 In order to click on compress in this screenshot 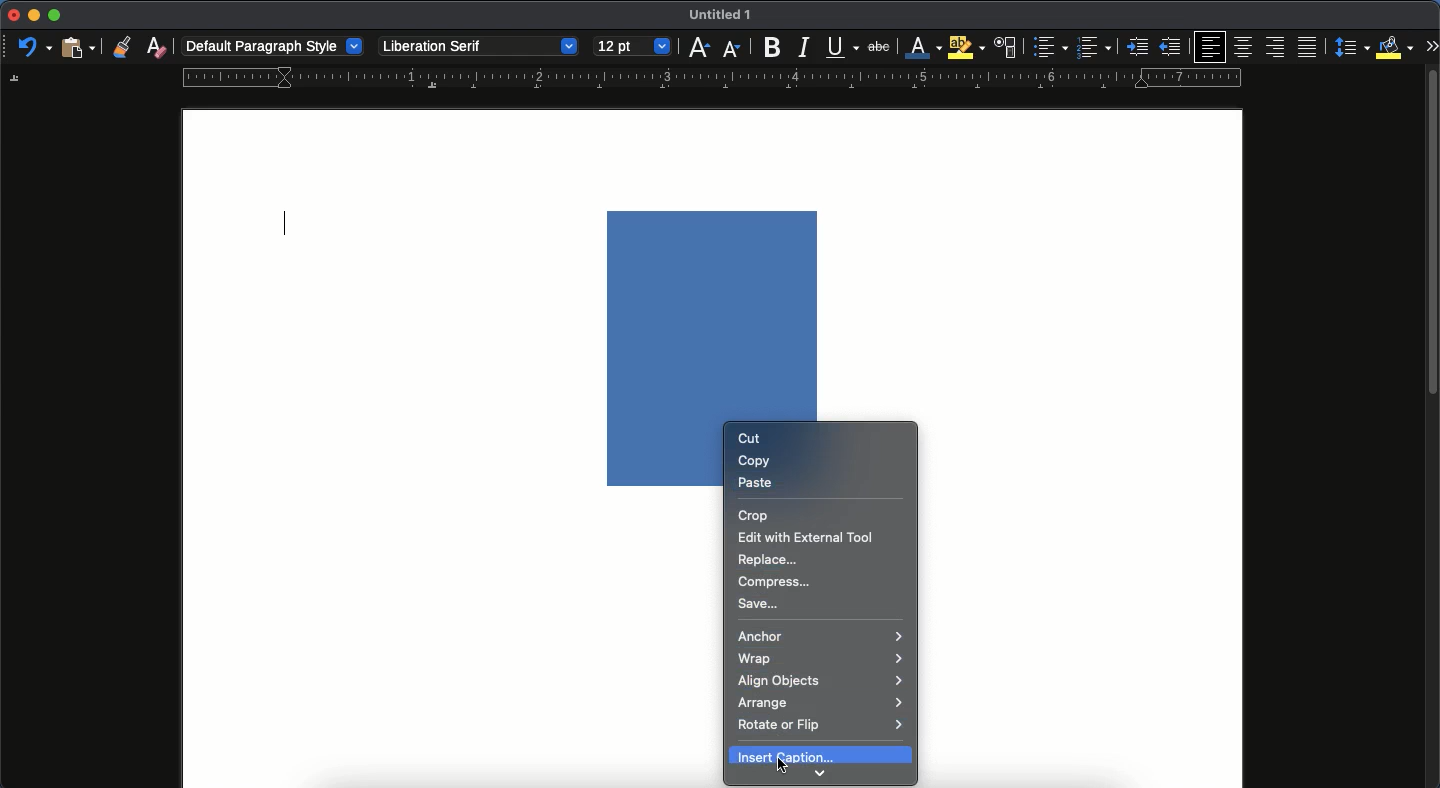, I will do `click(778, 582)`.